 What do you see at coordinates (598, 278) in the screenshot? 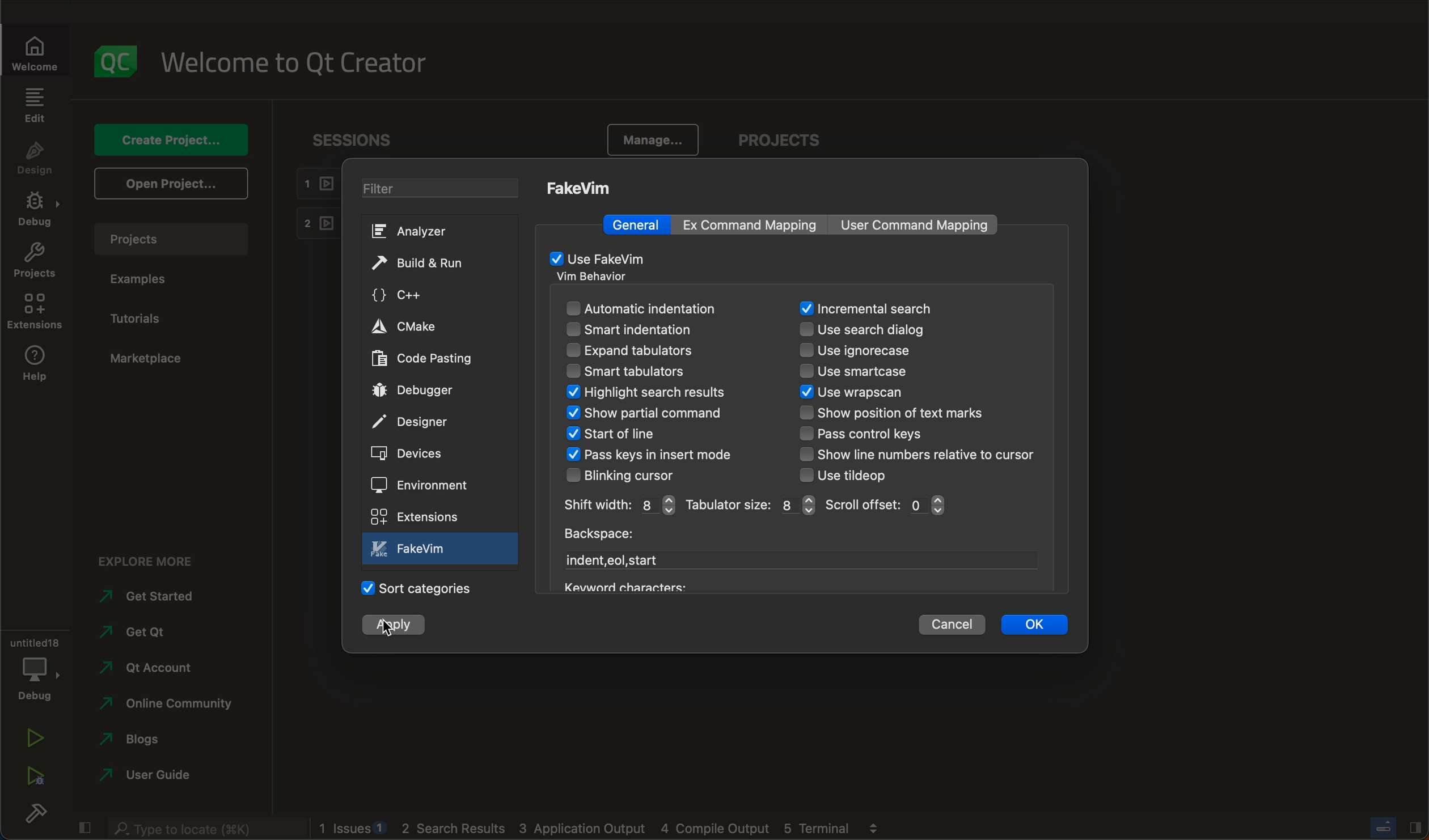
I see `vm behaviour ` at bounding box center [598, 278].